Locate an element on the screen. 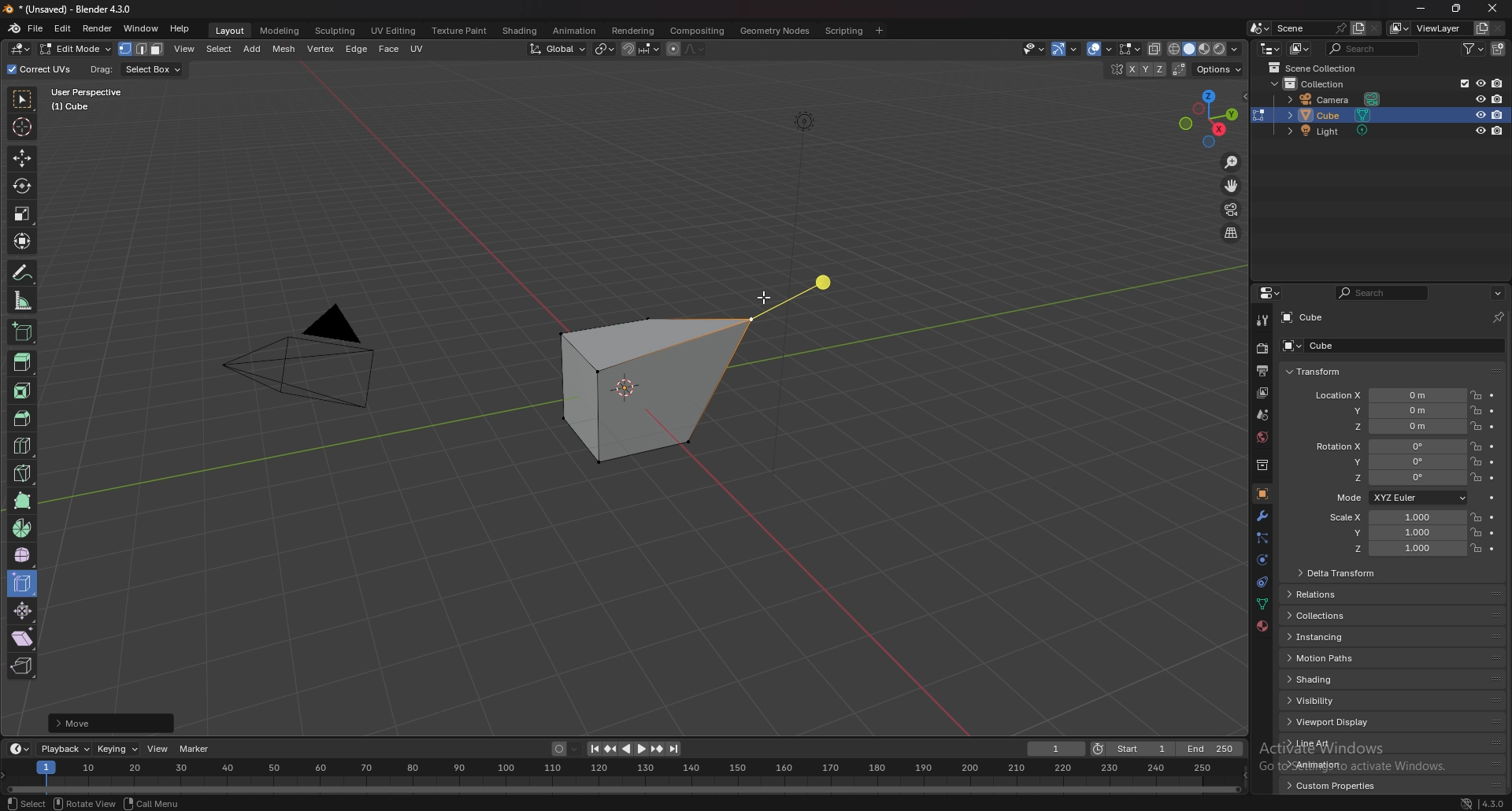  show overlays is located at coordinates (1128, 49).